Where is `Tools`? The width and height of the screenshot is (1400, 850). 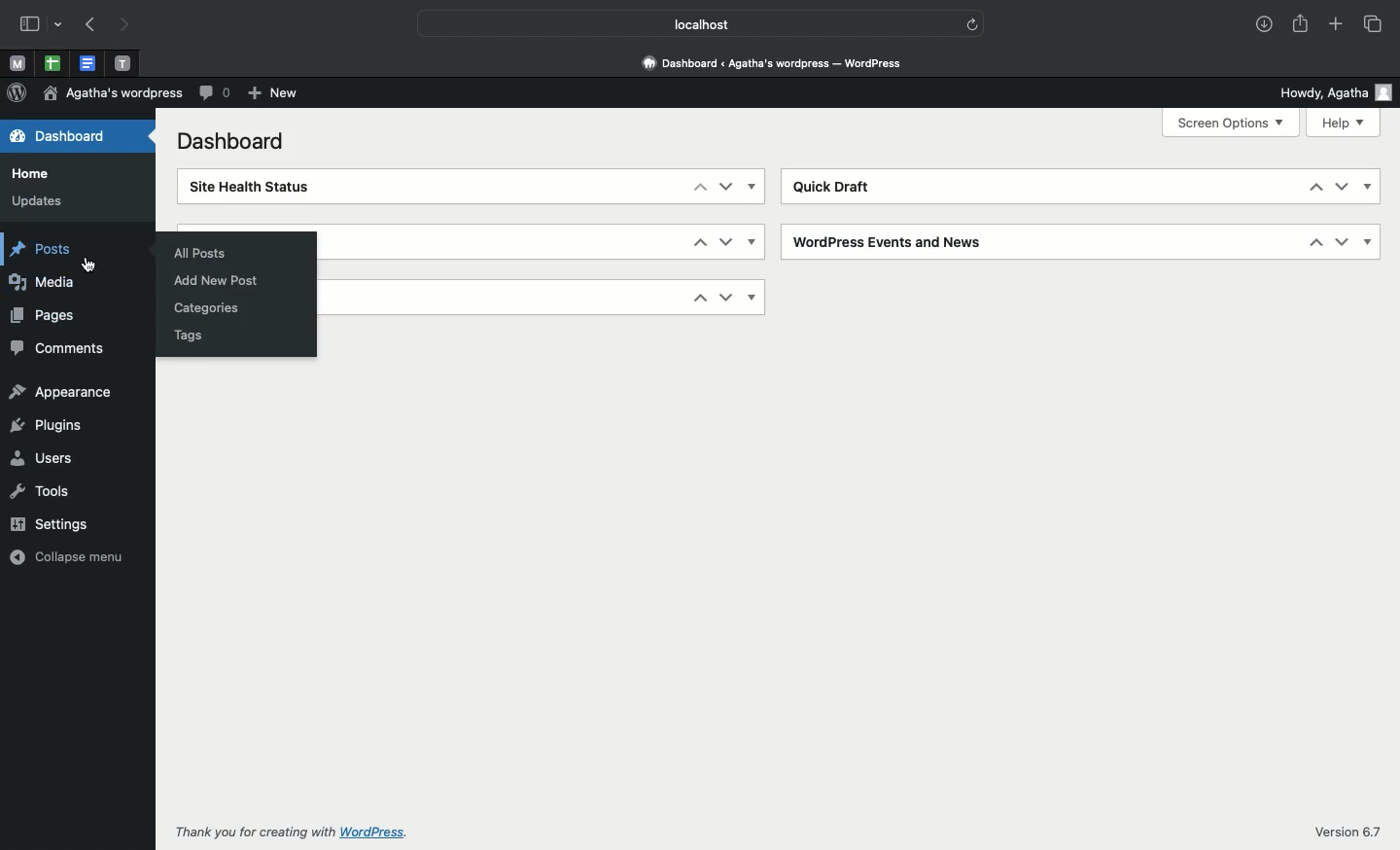 Tools is located at coordinates (41, 492).